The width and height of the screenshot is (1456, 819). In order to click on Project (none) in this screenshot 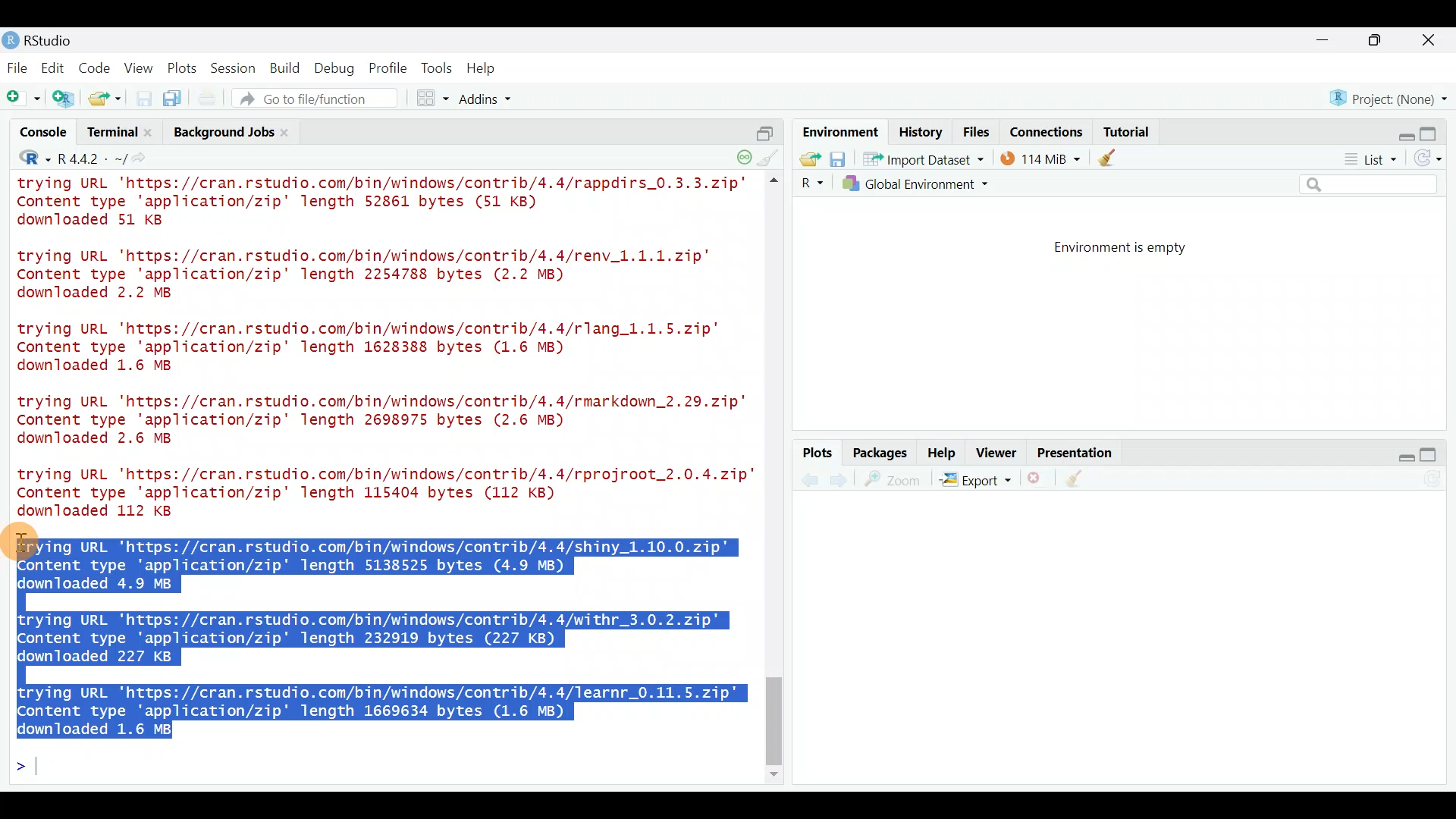, I will do `click(1393, 96)`.